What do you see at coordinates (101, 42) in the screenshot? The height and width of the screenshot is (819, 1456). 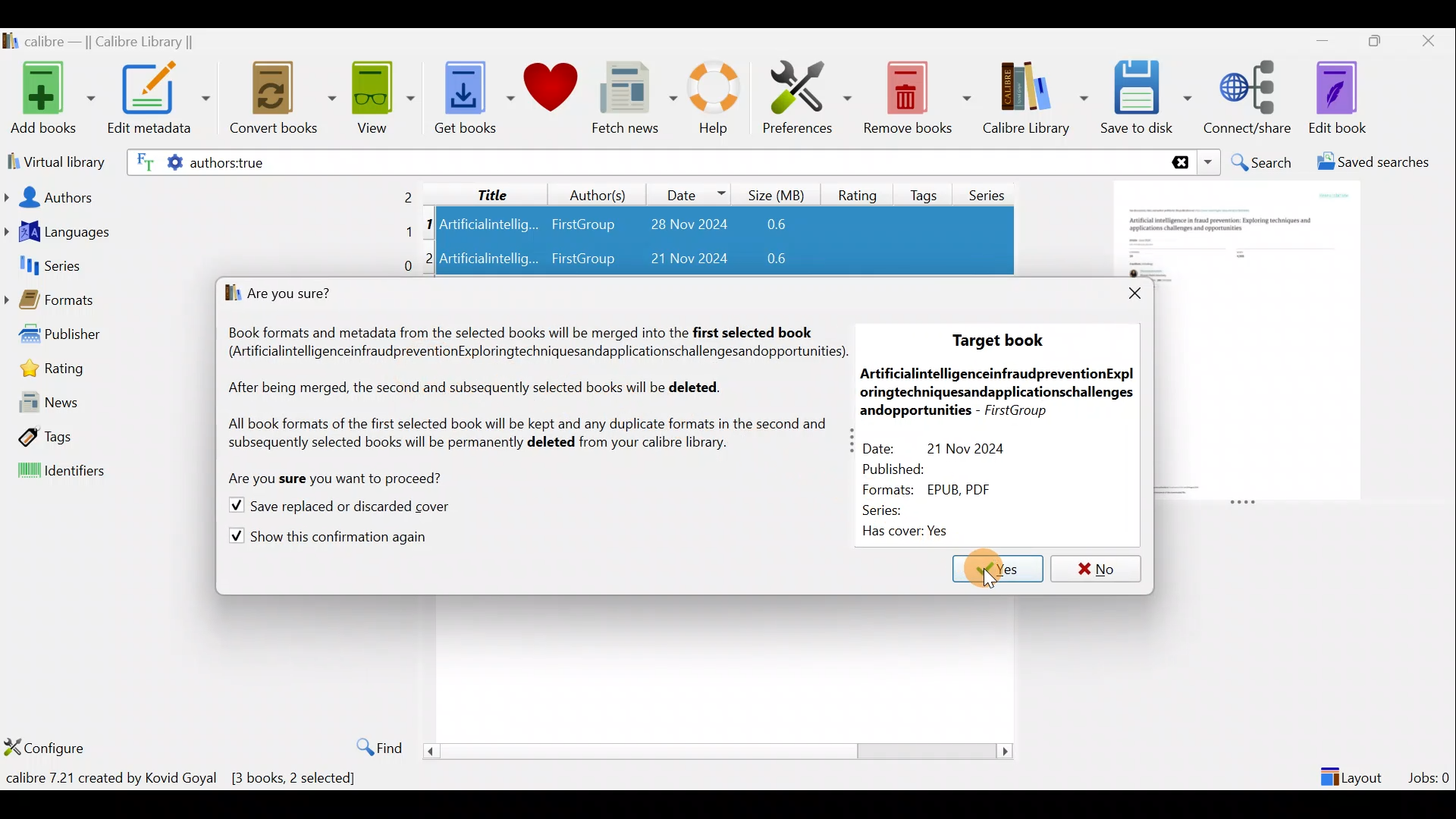 I see `calibre — || Calibre Library ||` at bounding box center [101, 42].